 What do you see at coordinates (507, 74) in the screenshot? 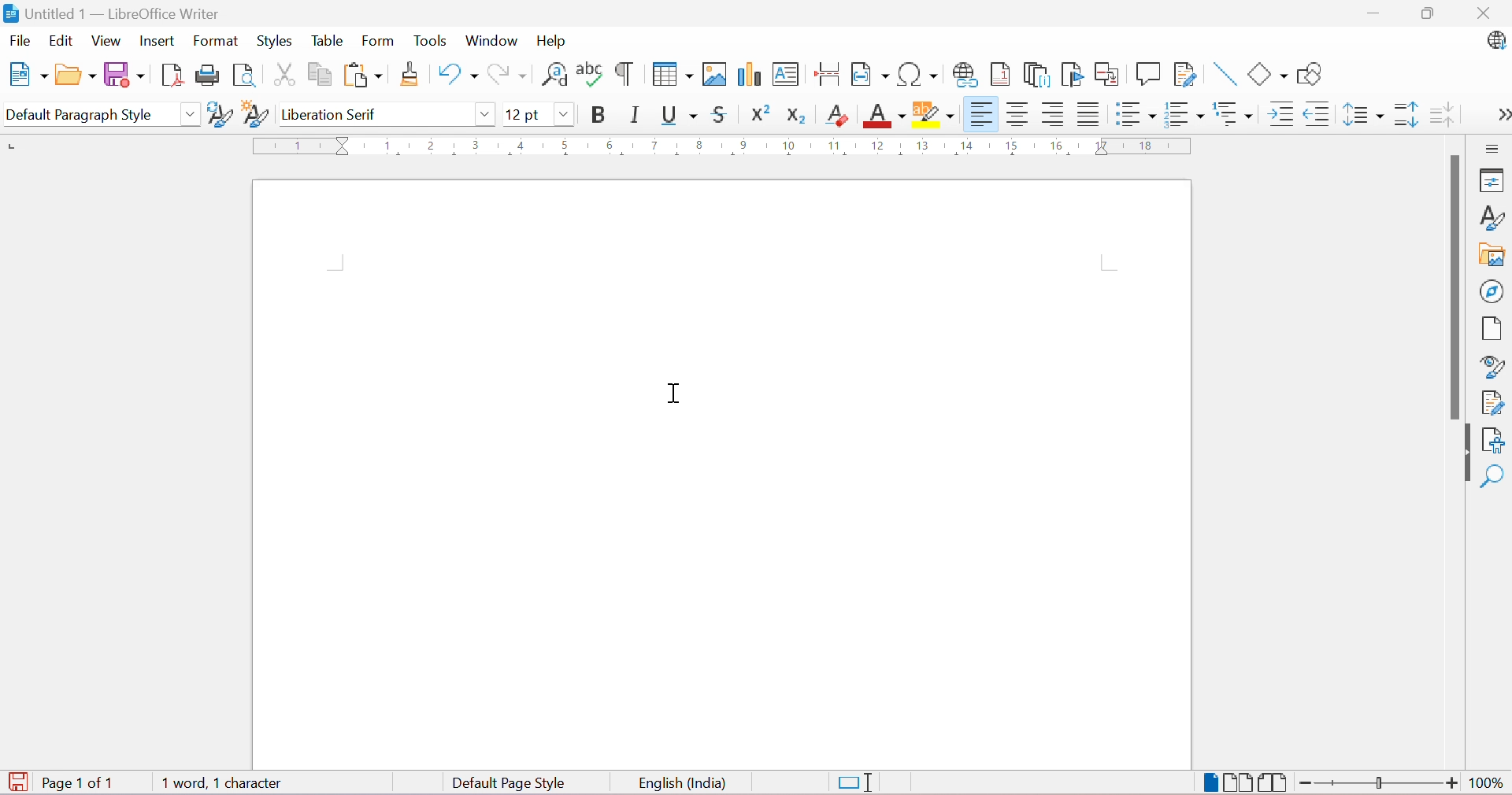
I see `Redo` at bounding box center [507, 74].